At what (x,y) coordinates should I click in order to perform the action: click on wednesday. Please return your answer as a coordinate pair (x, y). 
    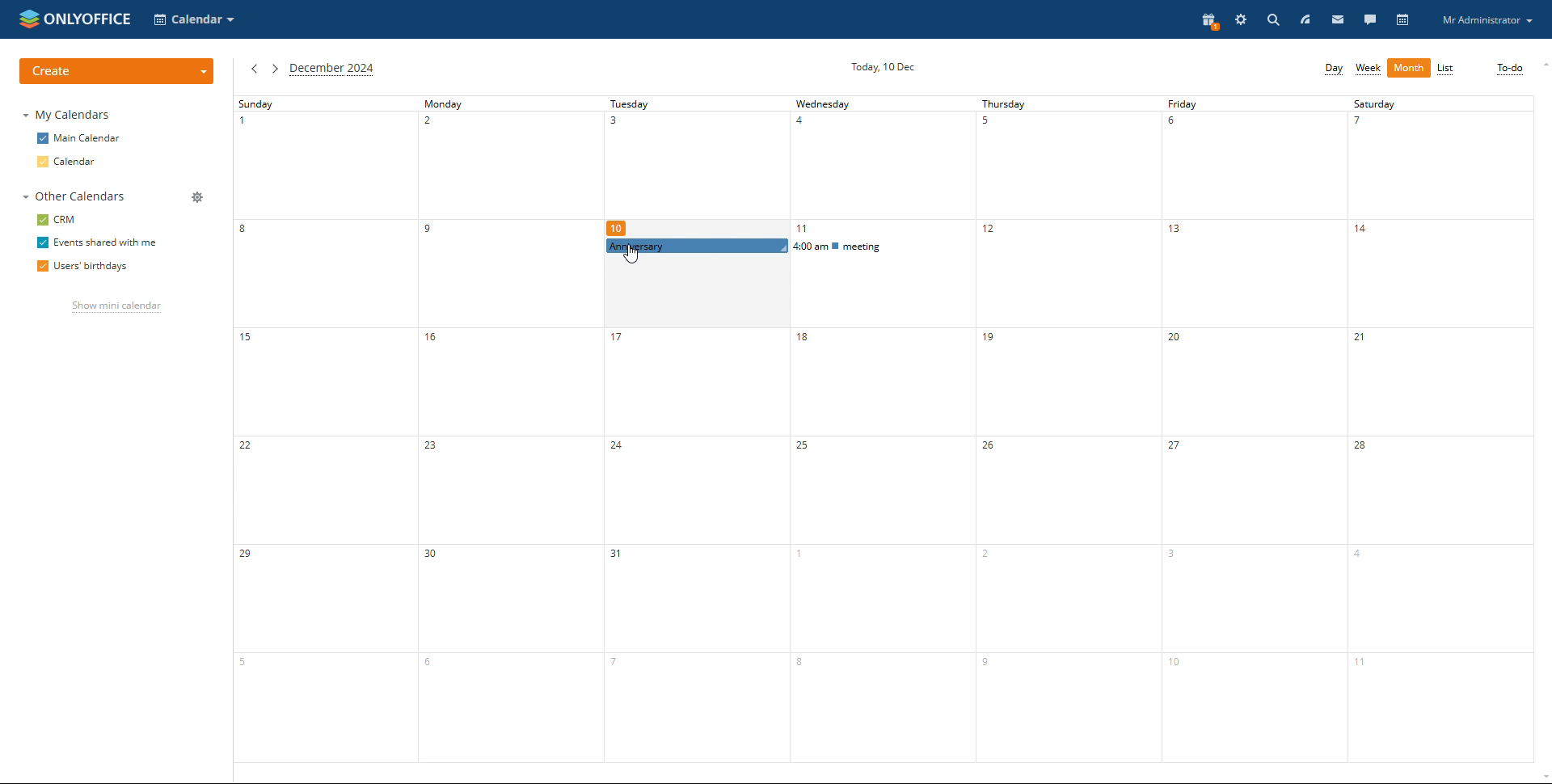
    Looking at the image, I should click on (882, 166).